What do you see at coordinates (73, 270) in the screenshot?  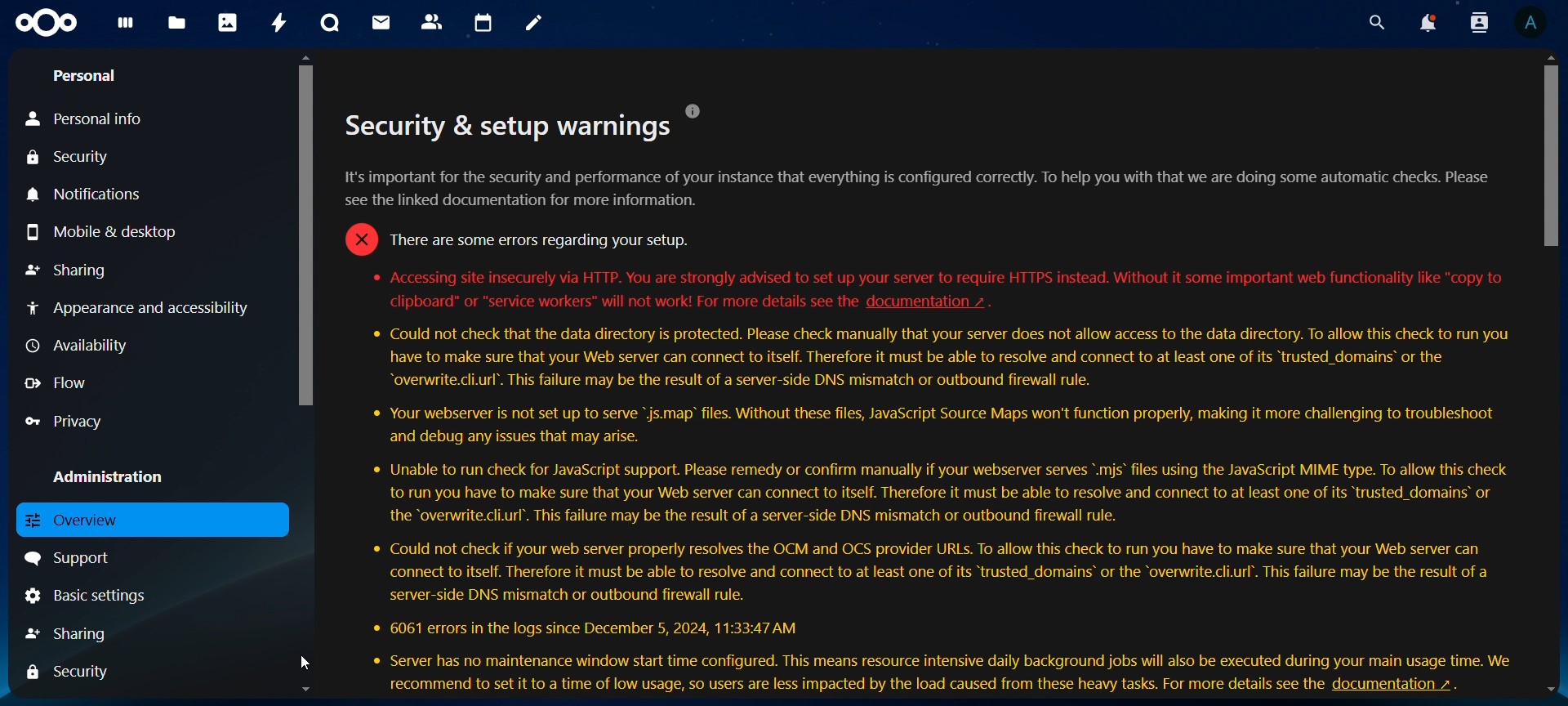 I see `sharing` at bounding box center [73, 270].